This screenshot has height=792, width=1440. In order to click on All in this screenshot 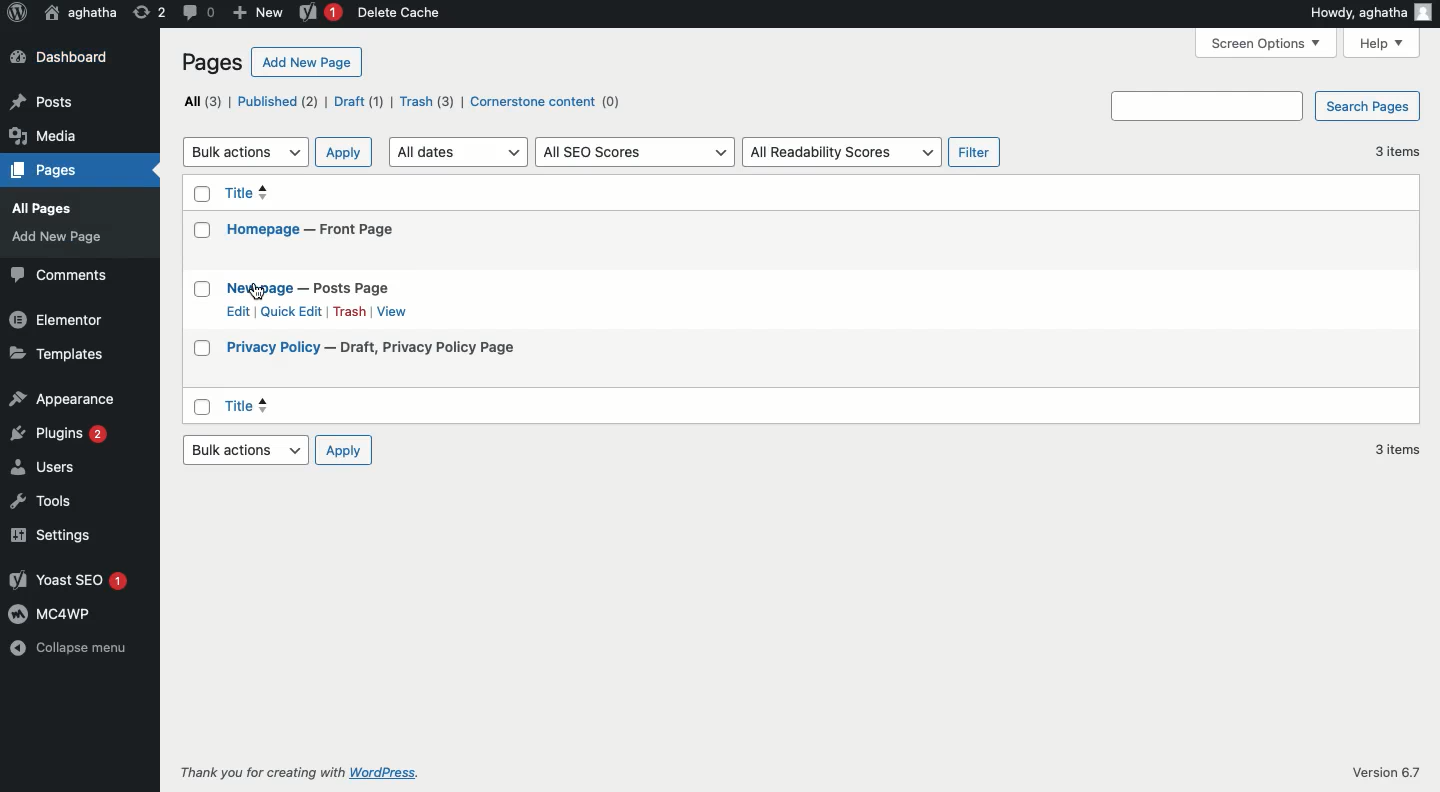, I will do `click(198, 102)`.